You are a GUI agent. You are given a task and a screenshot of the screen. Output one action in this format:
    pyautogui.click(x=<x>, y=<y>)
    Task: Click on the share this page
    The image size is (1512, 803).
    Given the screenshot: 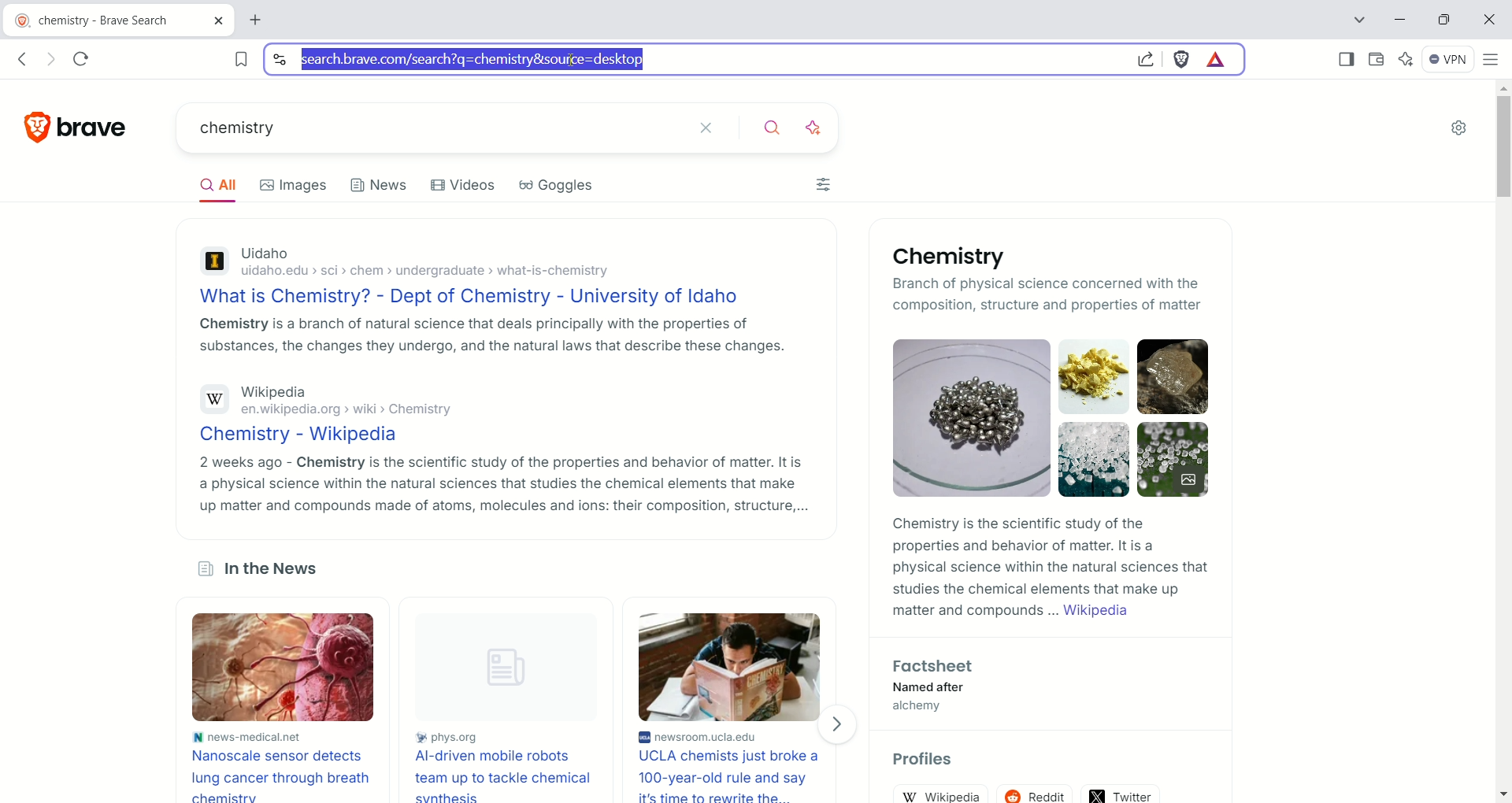 What is the action you would take?
    pyautogui.click(x=1144, y=58)
    